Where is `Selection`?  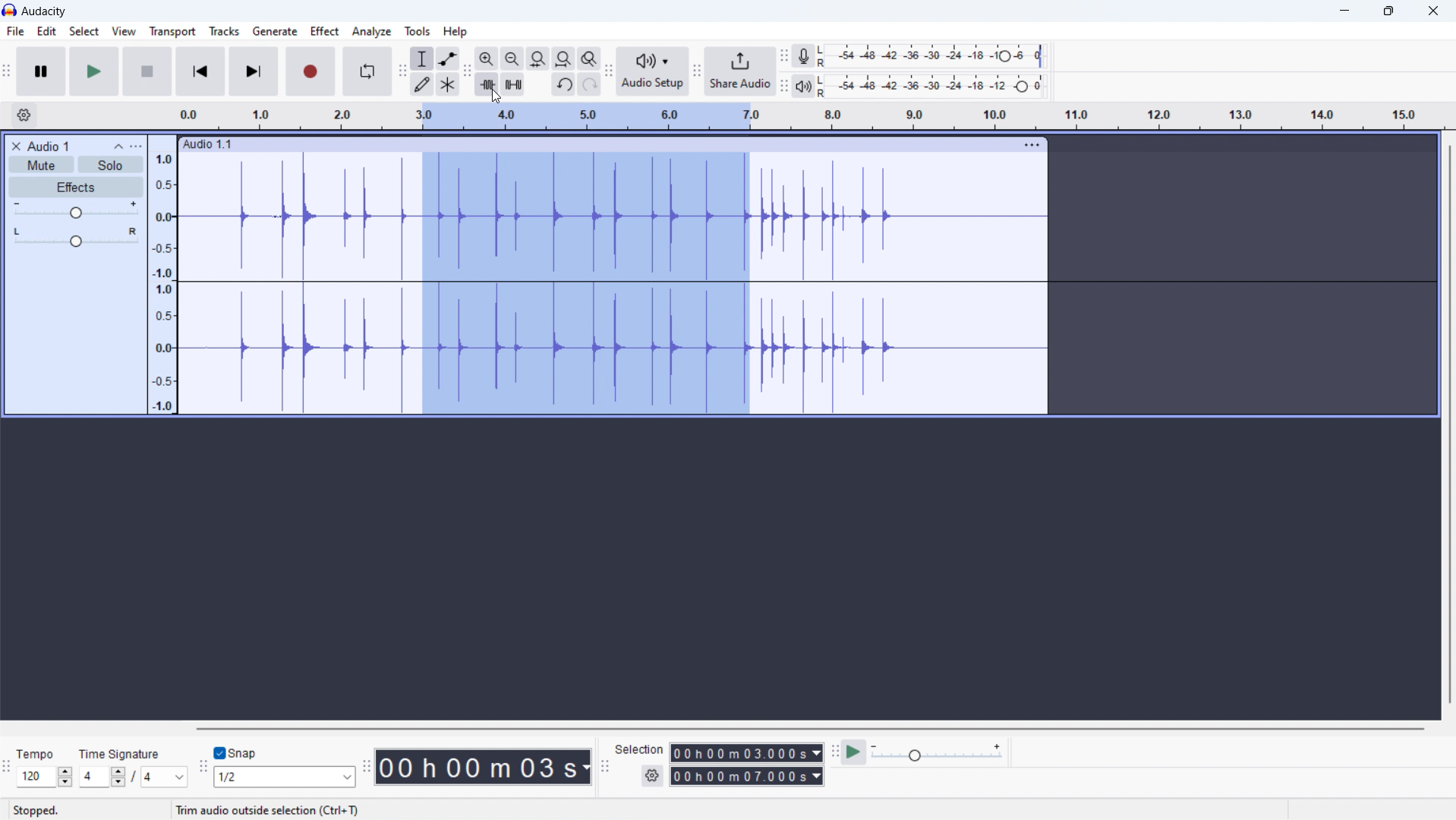
Selection is located at coordinates (641, 746).